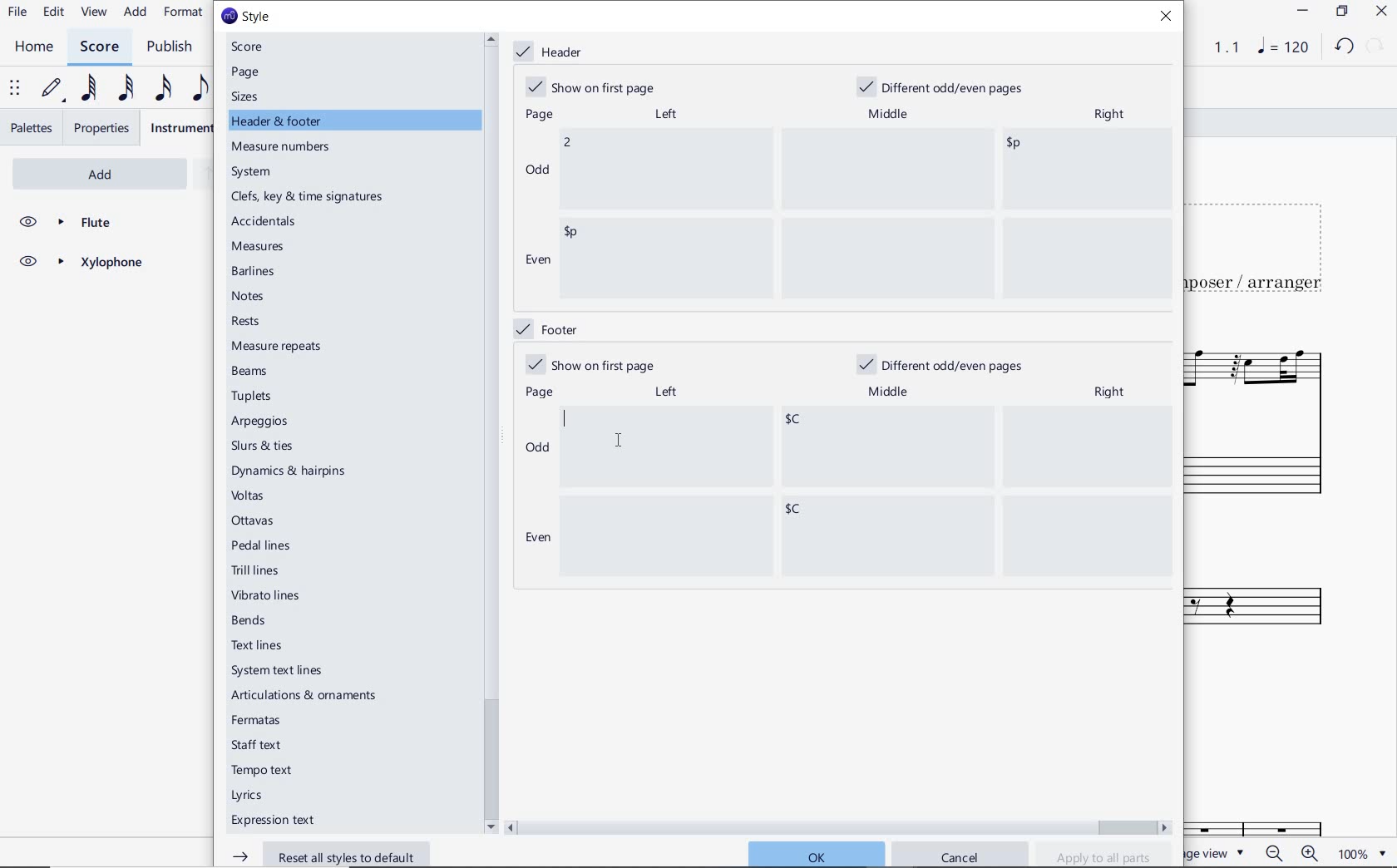 The height and width of the screenshot is (868, 1397). Describe the element at coordinates (263, 447) in the screenshot. I see `slurs & ties` at that location.